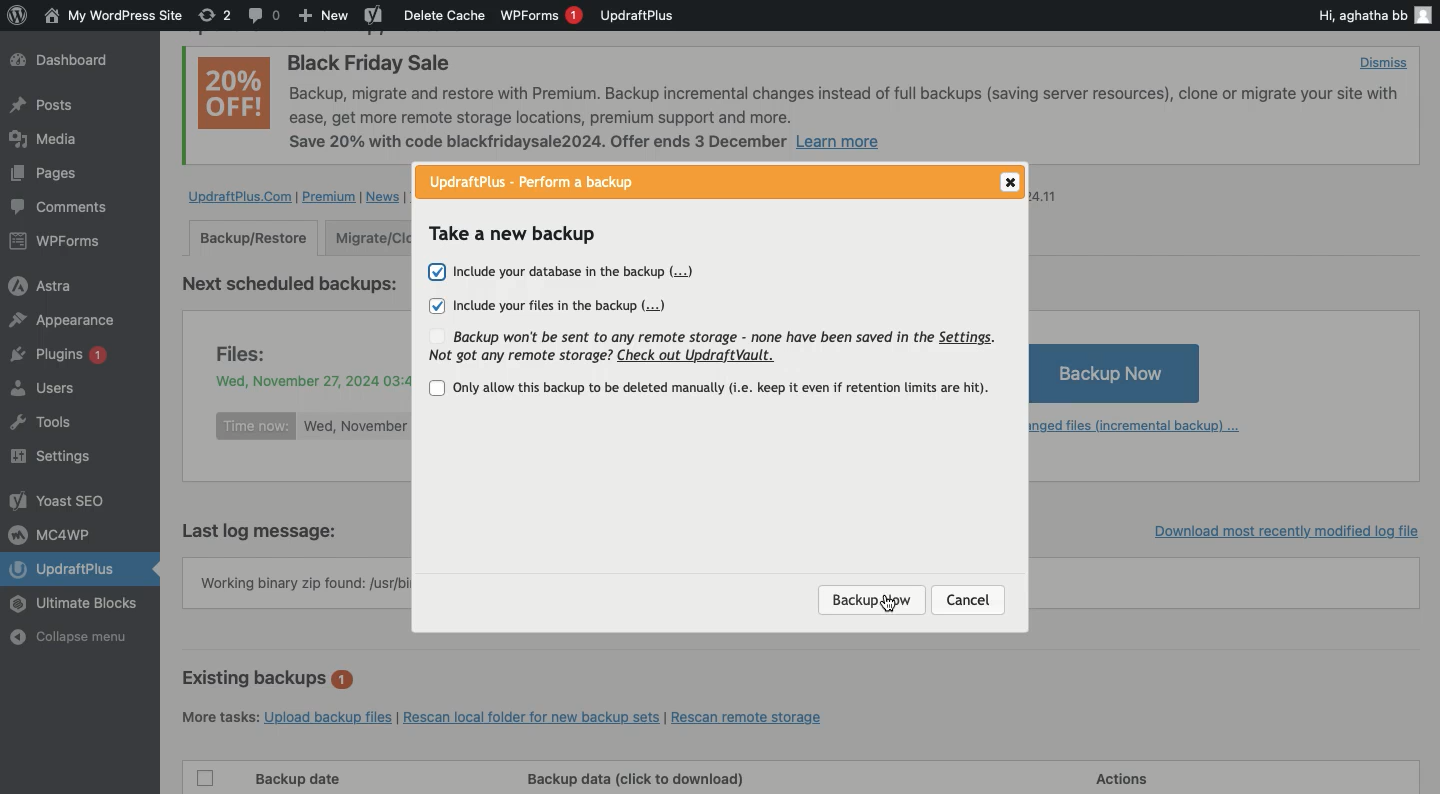  Describe the element at coordinates (215, 15) in the screenshot. I see `Revision` at that location.